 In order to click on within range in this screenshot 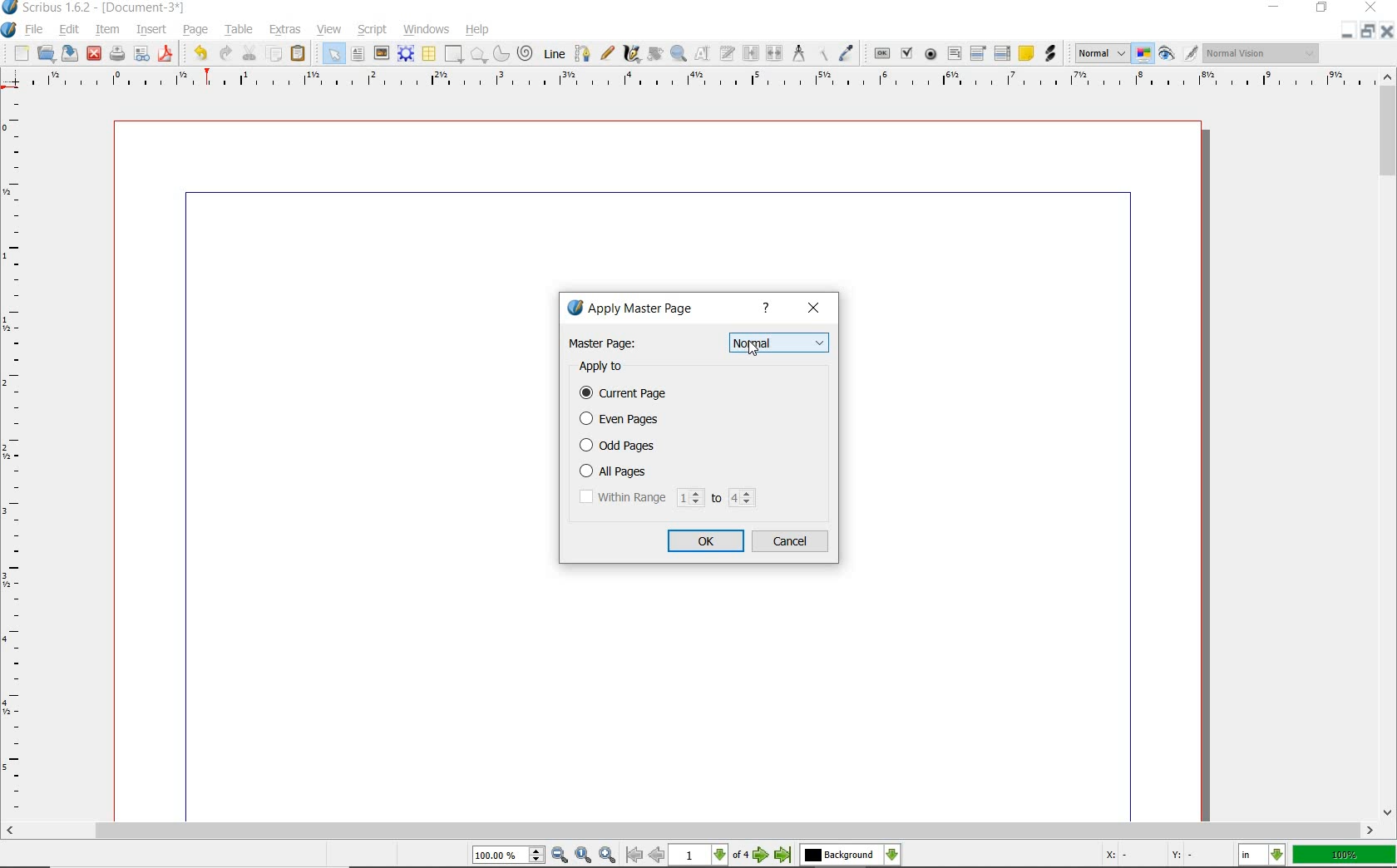, I will do `click(666, 498)`.